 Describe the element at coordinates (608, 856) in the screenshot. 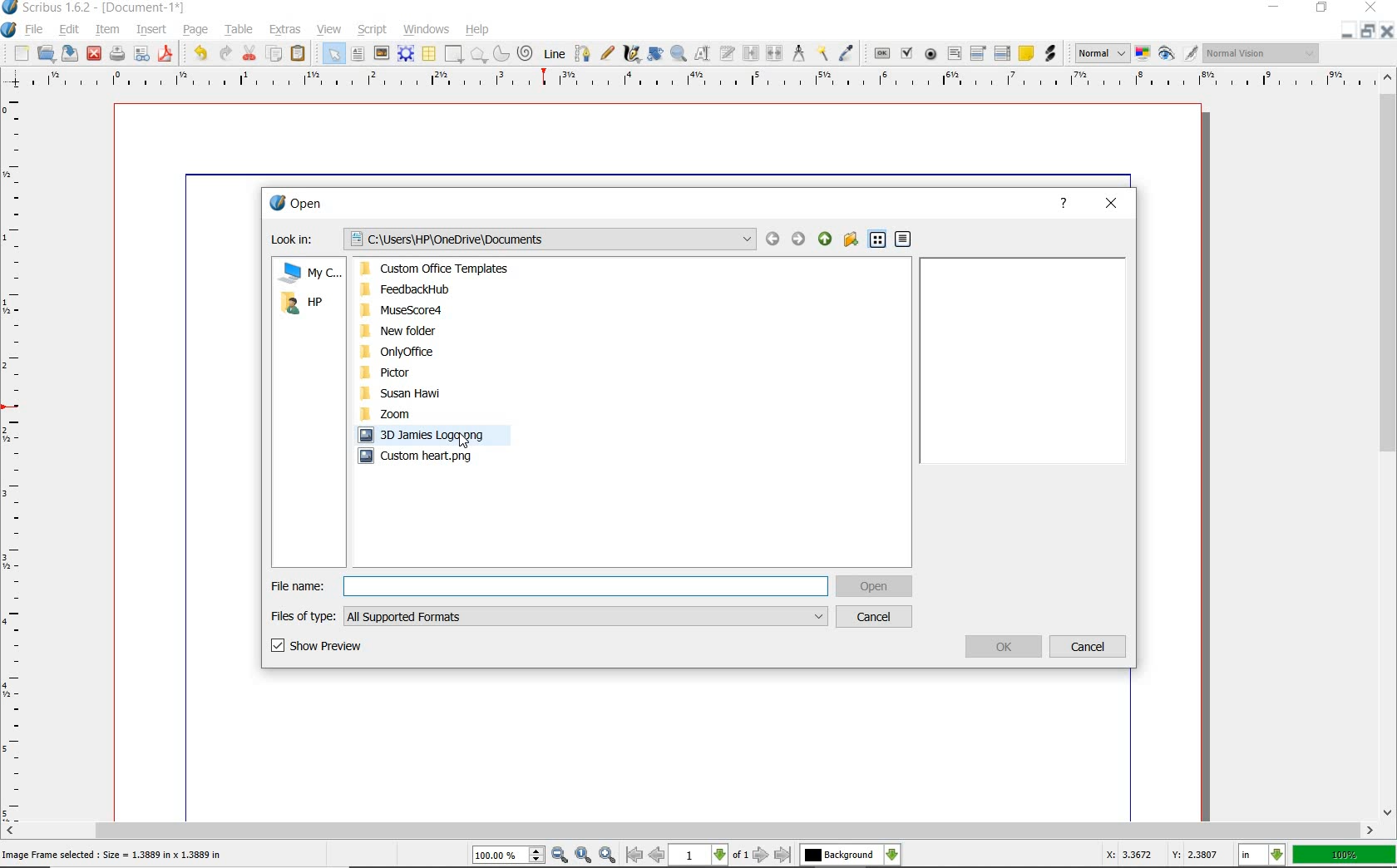

I see `Zoom In` at that location.